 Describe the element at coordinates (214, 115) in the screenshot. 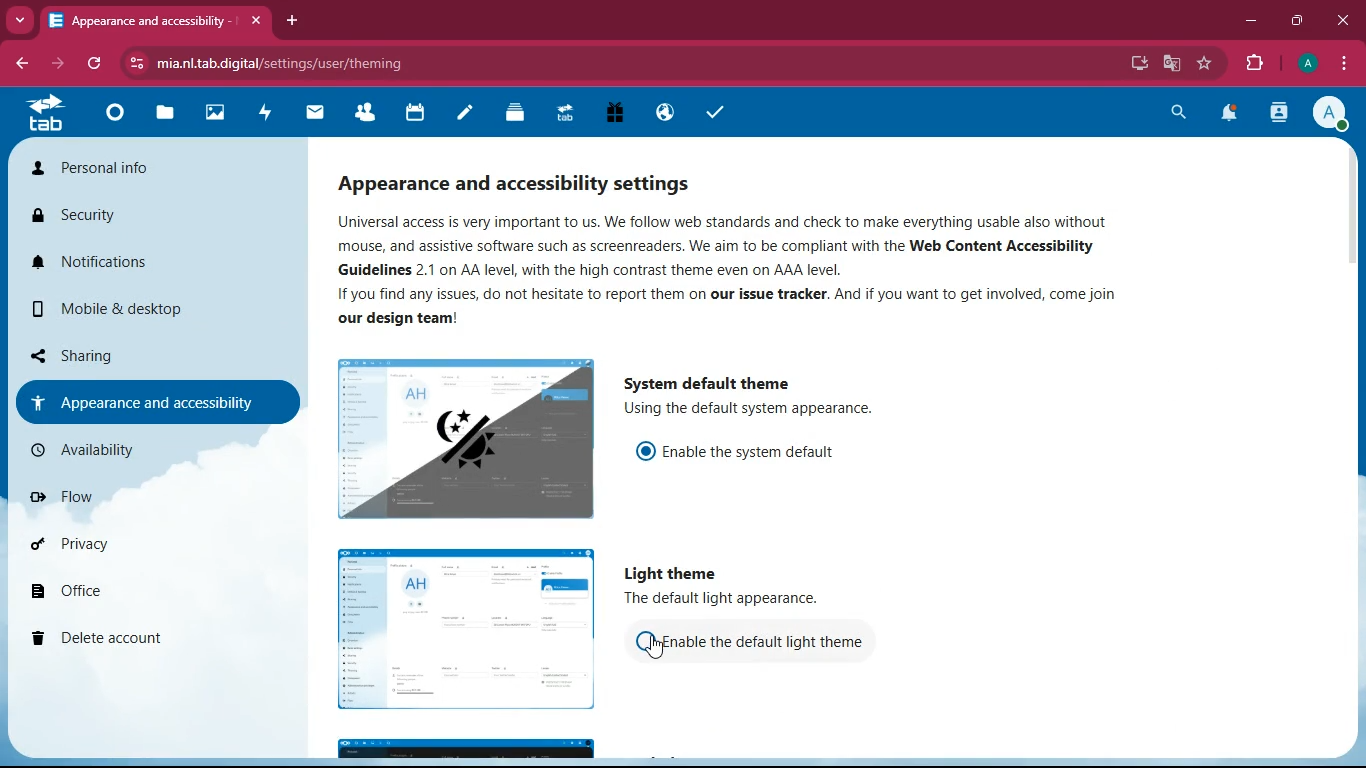

I see `images` at that location.